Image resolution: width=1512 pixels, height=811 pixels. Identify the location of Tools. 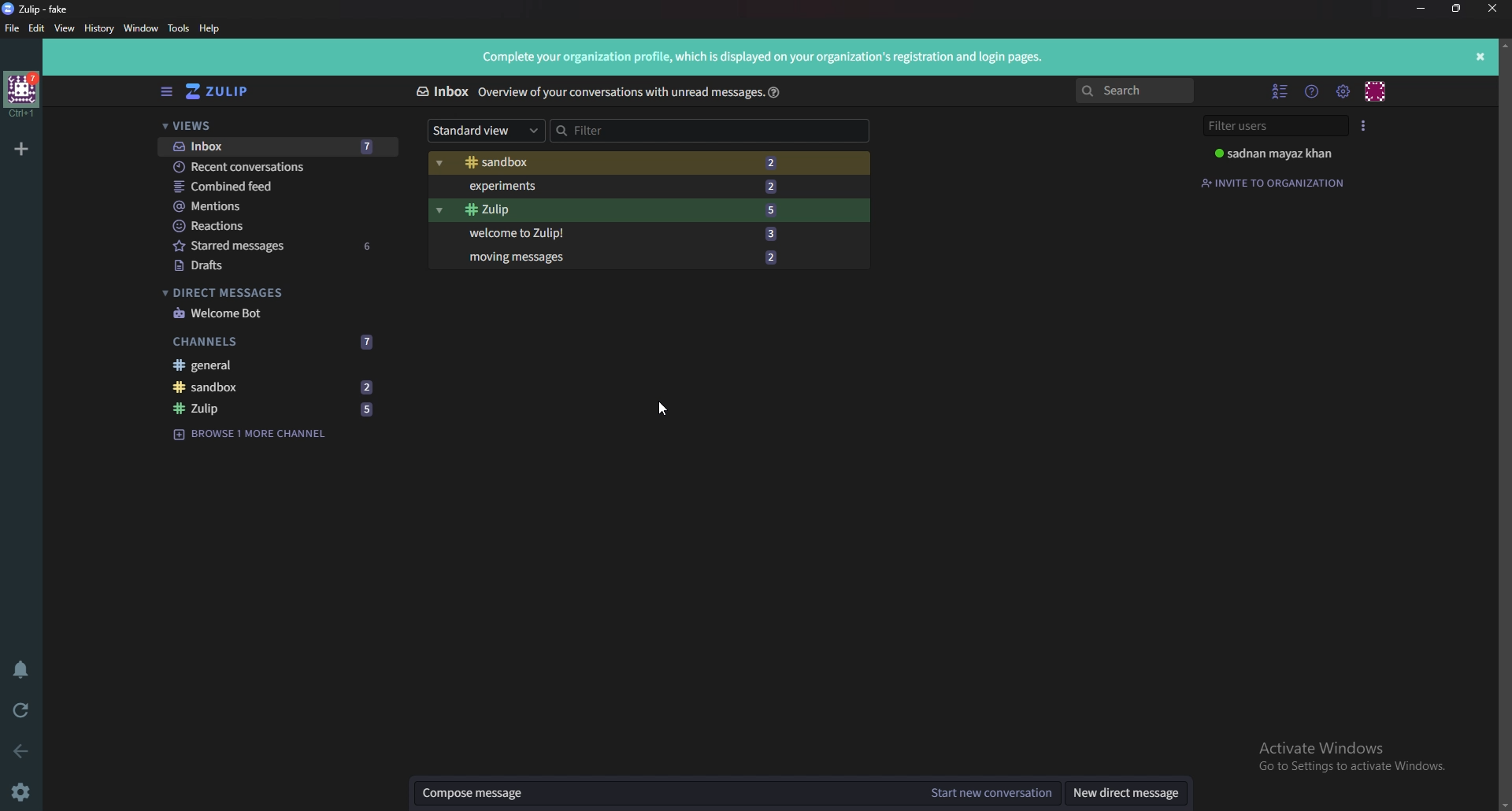
(178, 30).